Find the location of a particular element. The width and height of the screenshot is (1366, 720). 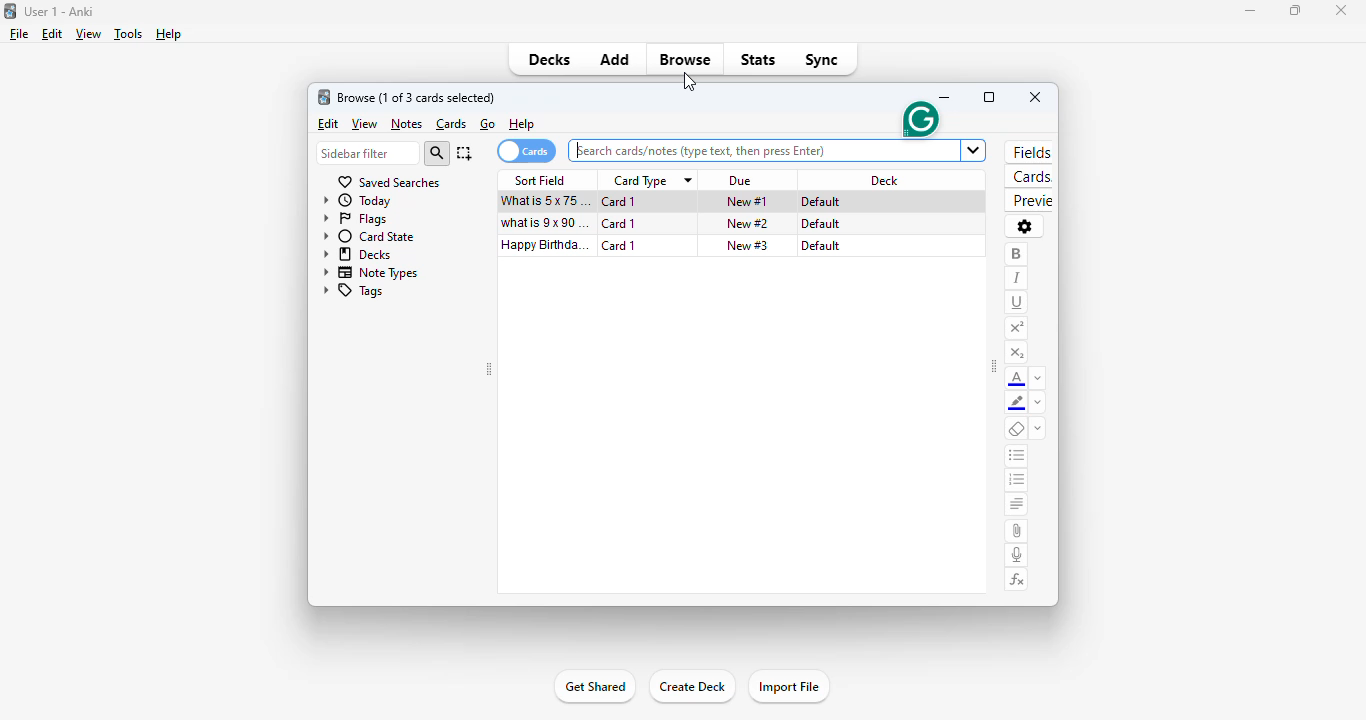

remove formatting is located at coordinates (1018, 428).